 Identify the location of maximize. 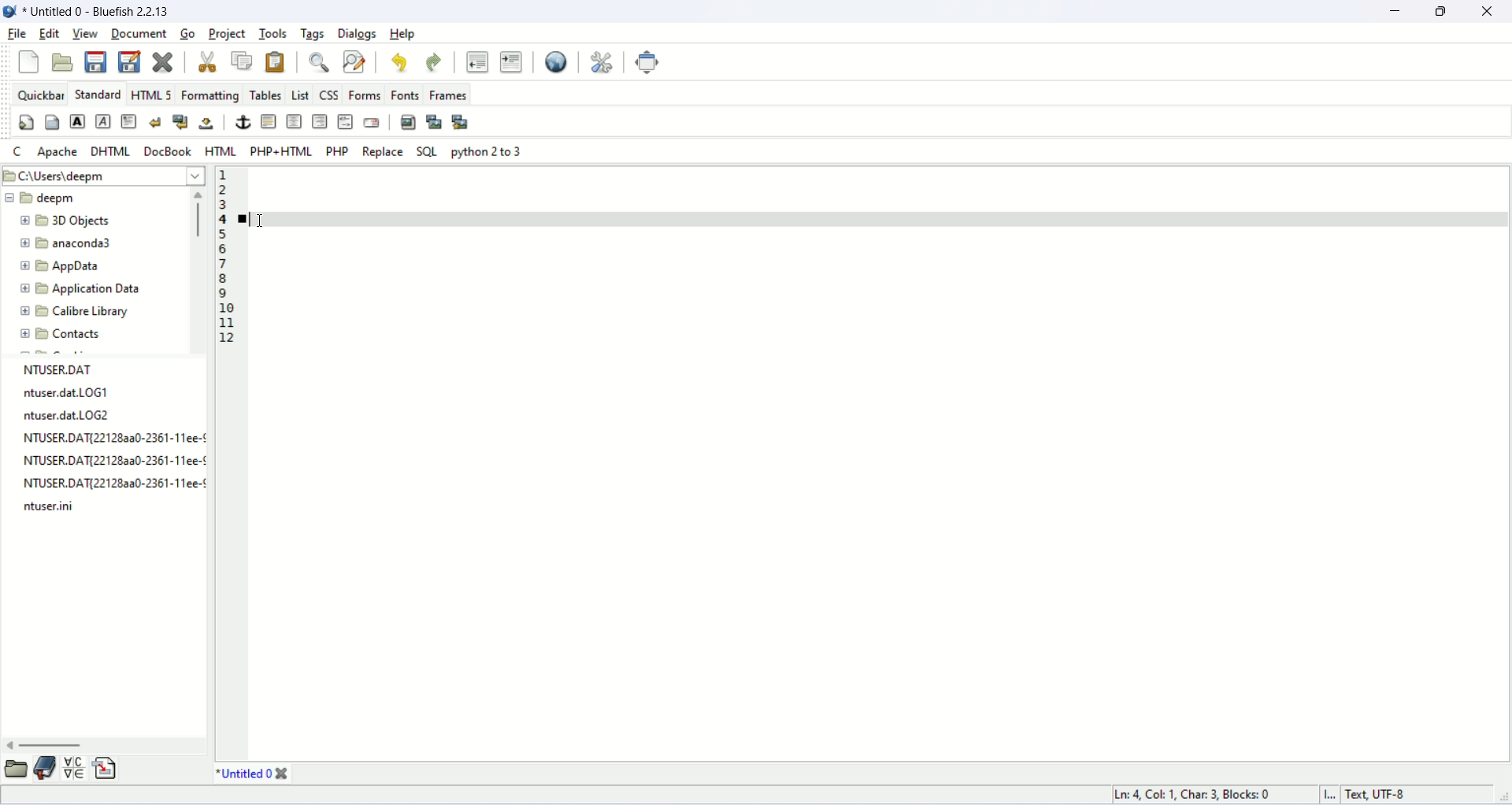
(1440, 14).